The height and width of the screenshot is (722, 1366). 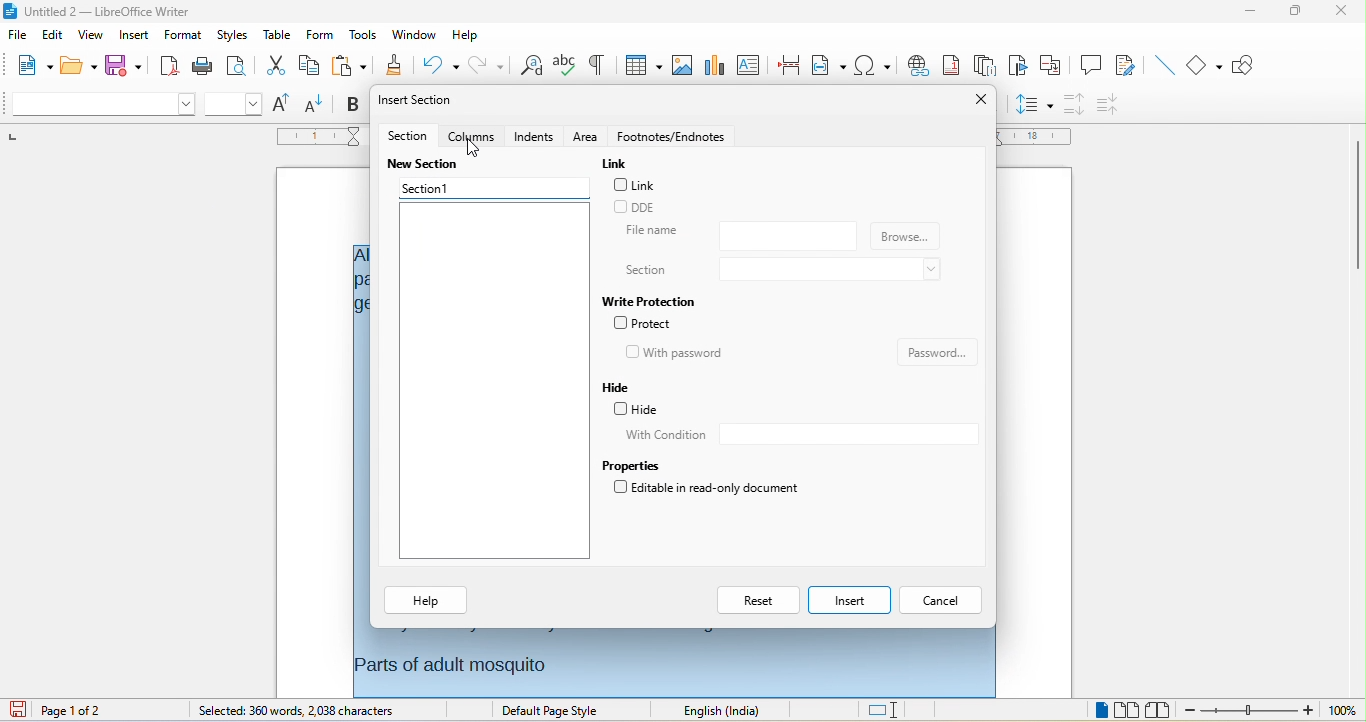 What do you see at coordinates (635, 208) in the screenshot?
I see `dde` at bounding box center [635, 208].